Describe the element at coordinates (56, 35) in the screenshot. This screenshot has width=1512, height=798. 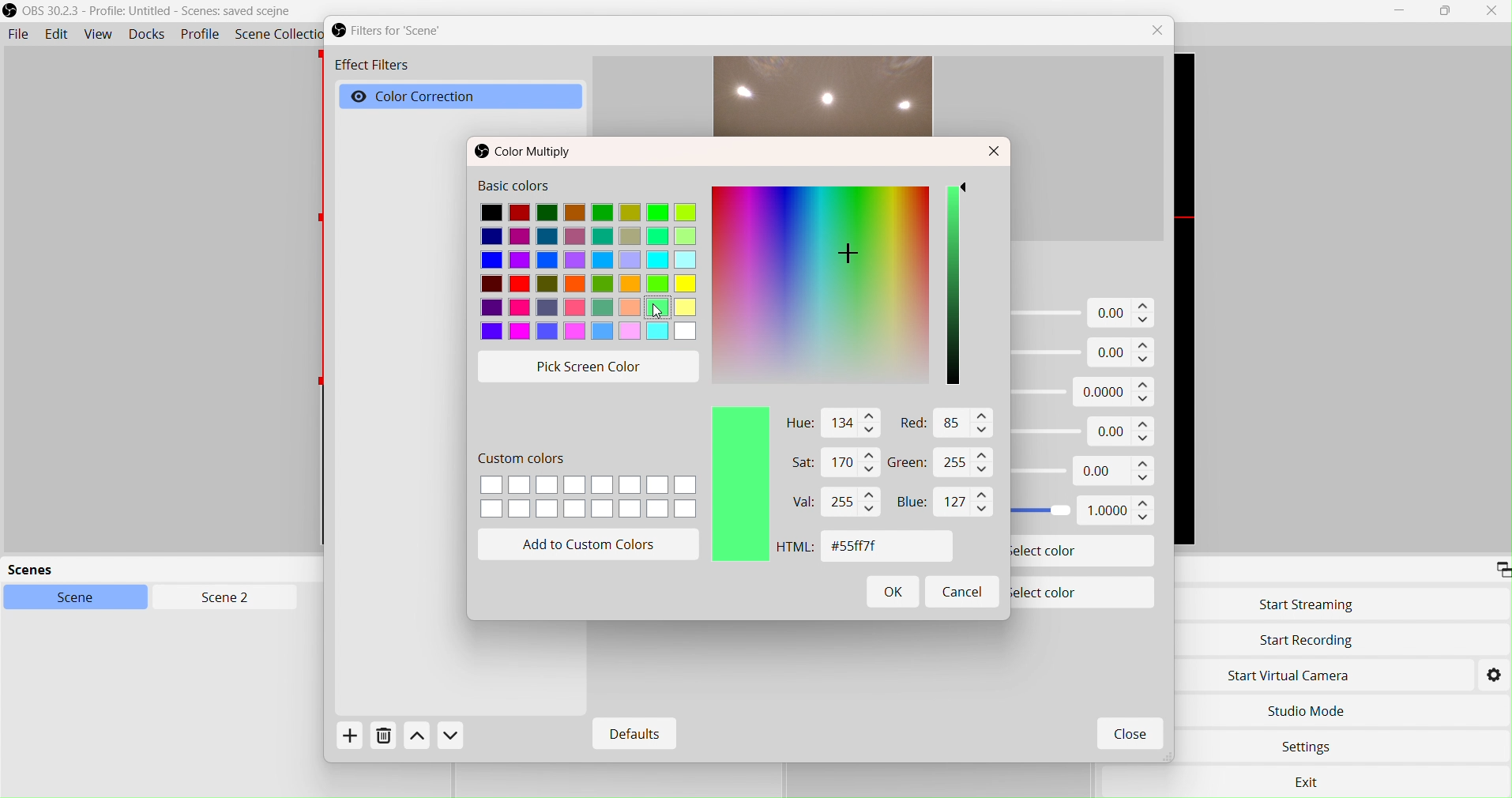
I see `Edit` at that location.